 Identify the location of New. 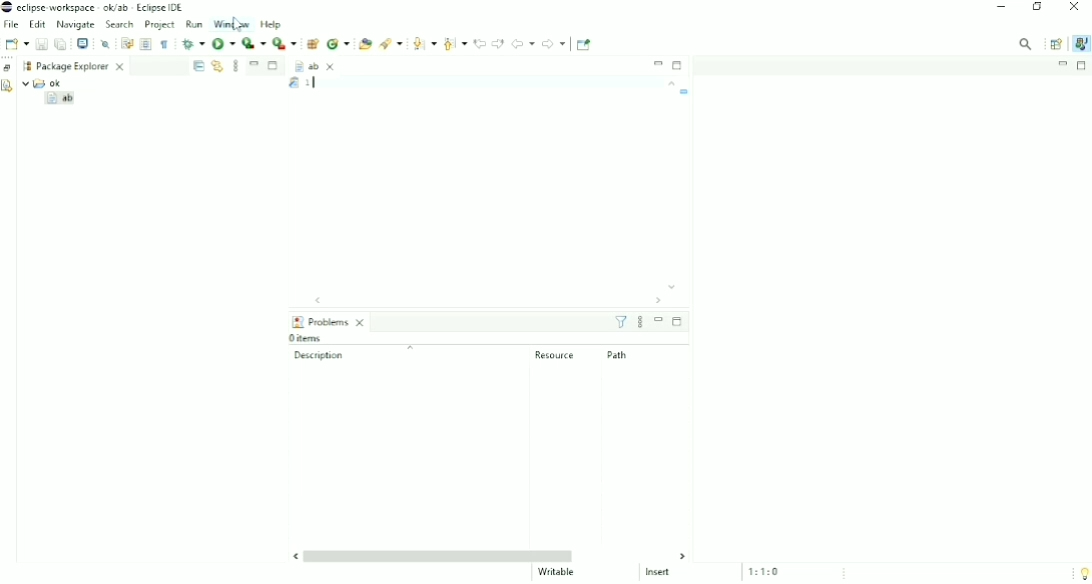
(15, 44).